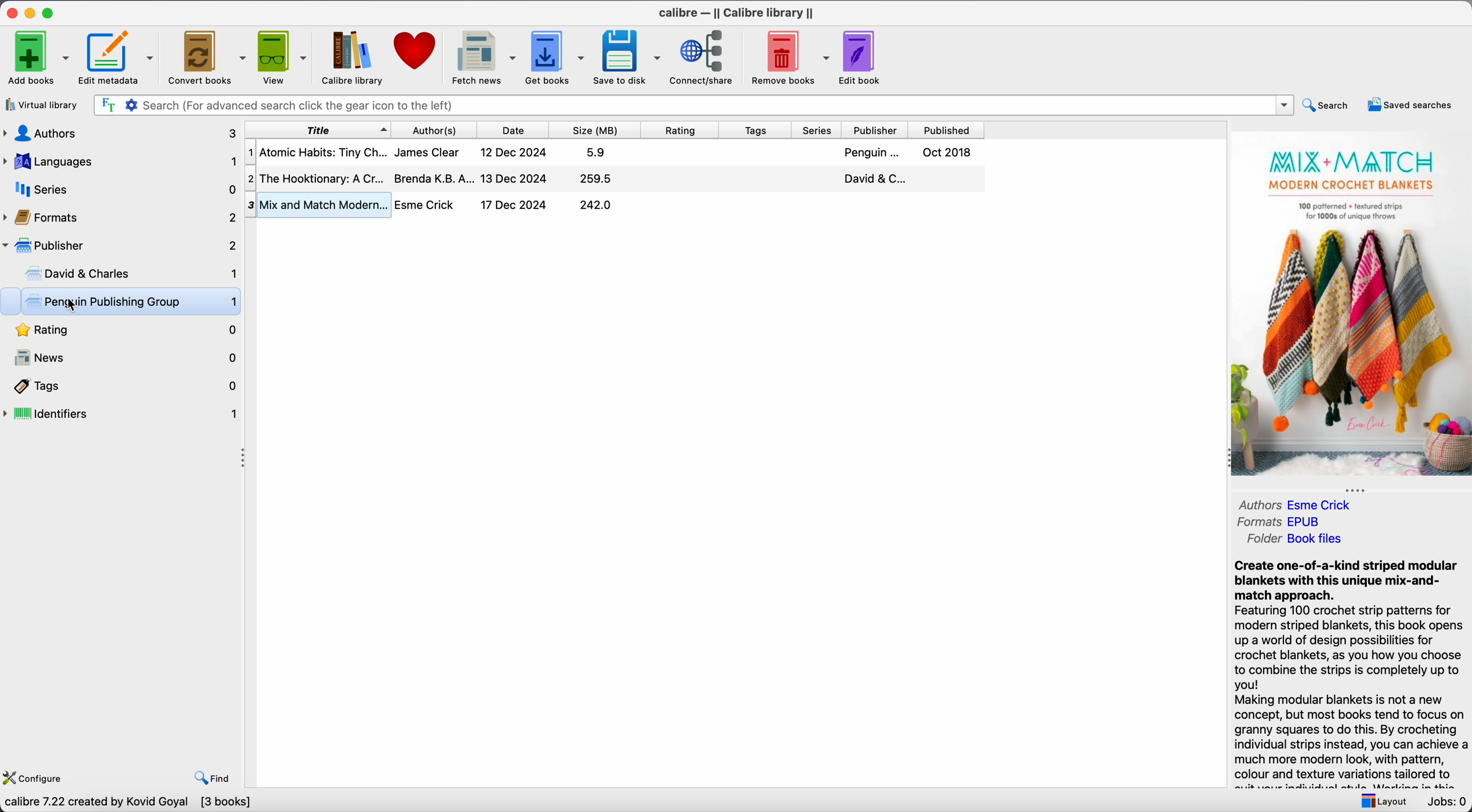  What do you see at coordinates (517, 130) in the screenshot?
I see `date` at bounding box center [517, 130].